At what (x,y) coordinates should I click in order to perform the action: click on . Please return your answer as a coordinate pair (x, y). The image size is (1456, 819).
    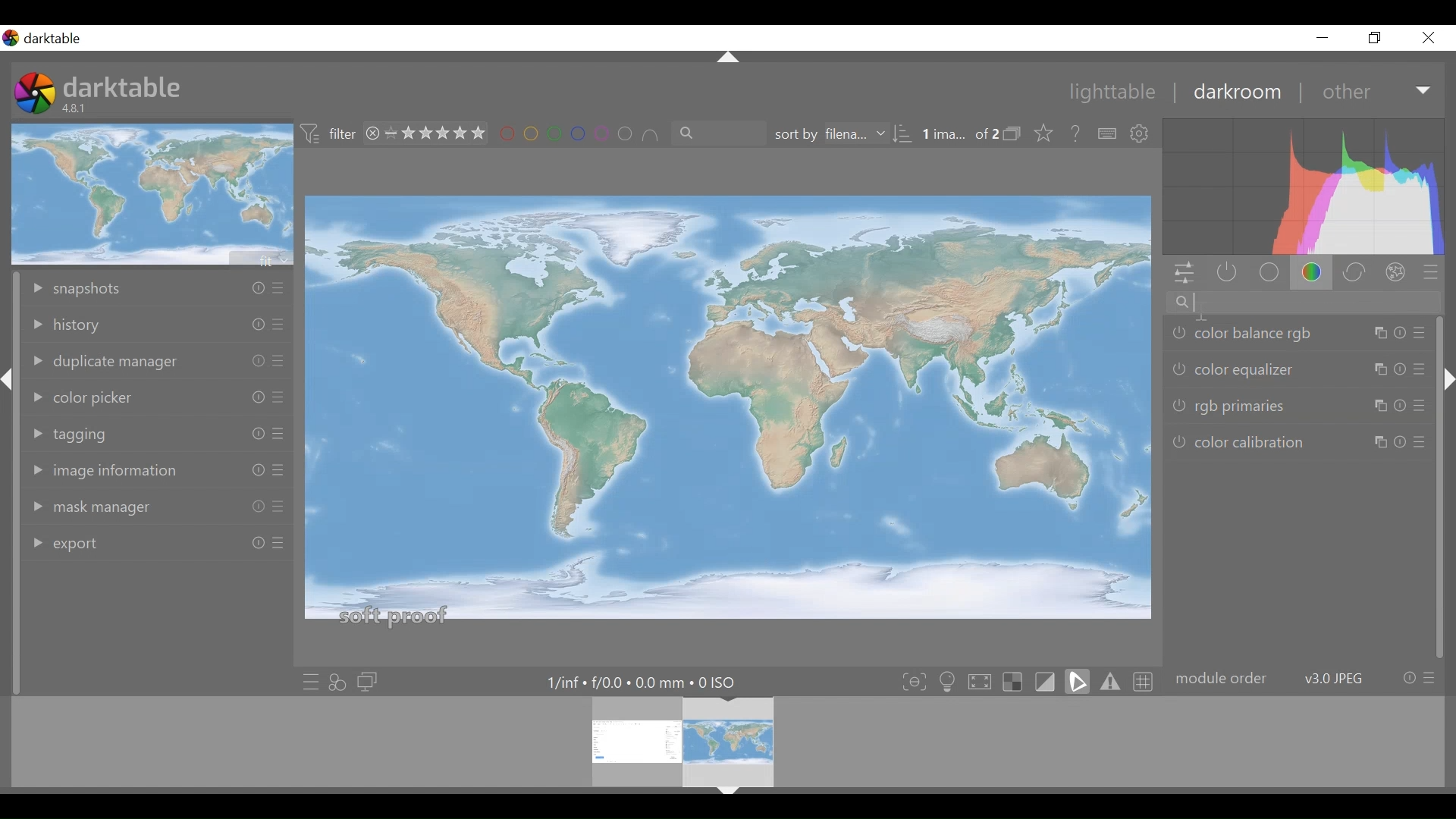
    Looking at the image, I should click on (253, 507).